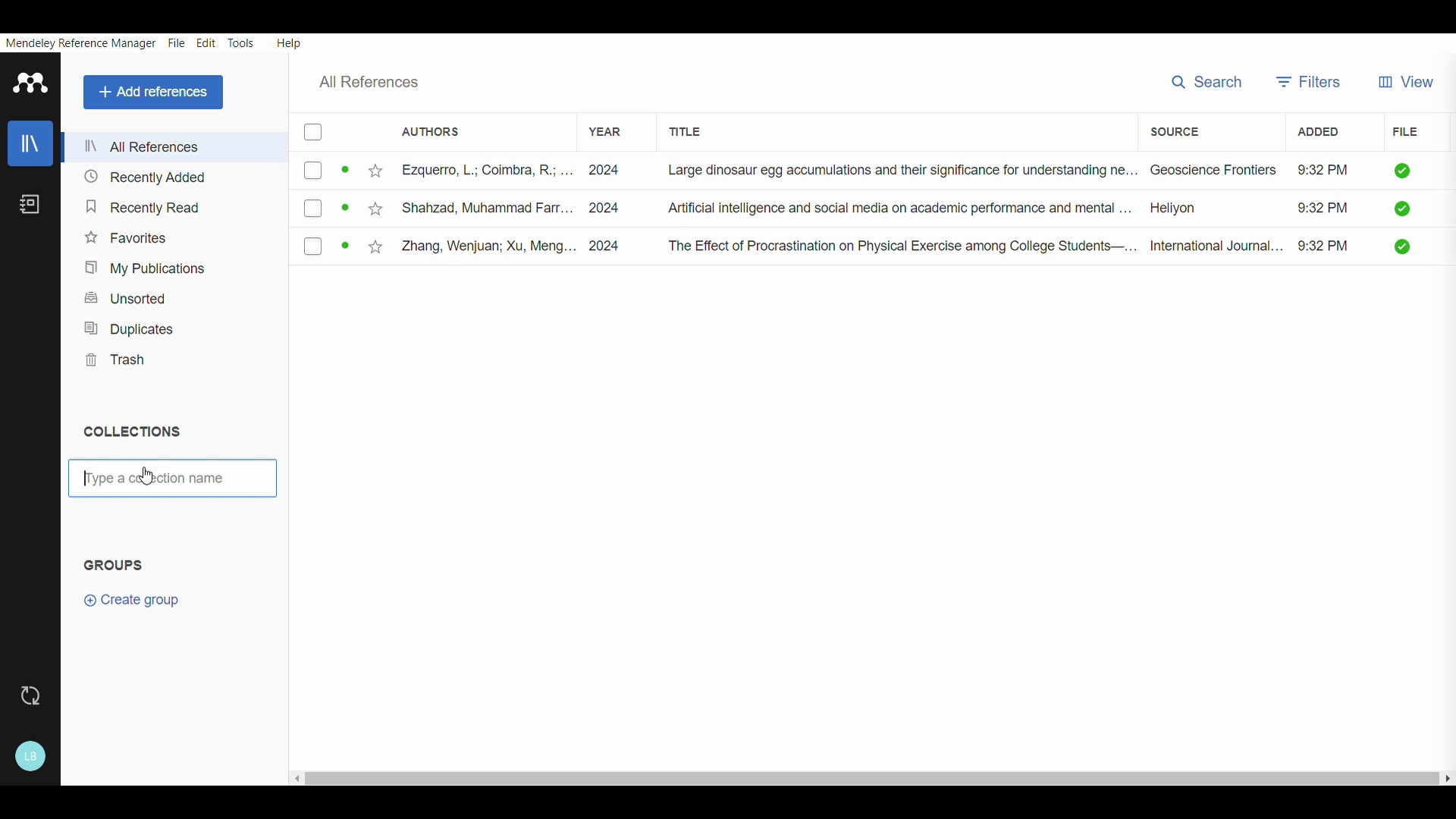 Image resolution: width=1456 pixels, height=819 pixels. What do you see at coordinates (1404, 133) in the screenshot?
I see `FILE` at bounding box center [1404, 133].